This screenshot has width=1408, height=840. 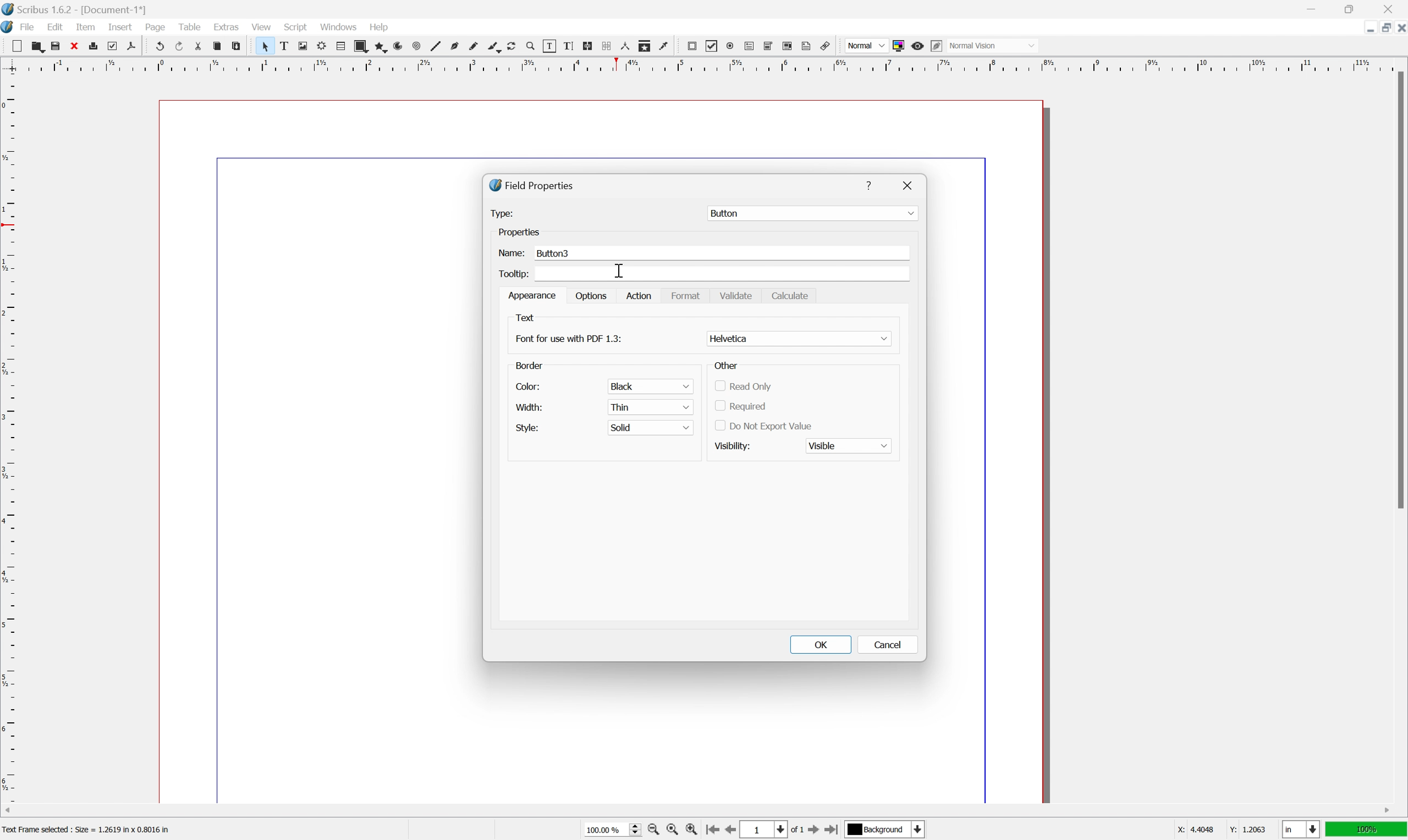 What do you see at coordinates (1392, 8) in the screenshot?
I see `close` at bounding box center [1392, 8].